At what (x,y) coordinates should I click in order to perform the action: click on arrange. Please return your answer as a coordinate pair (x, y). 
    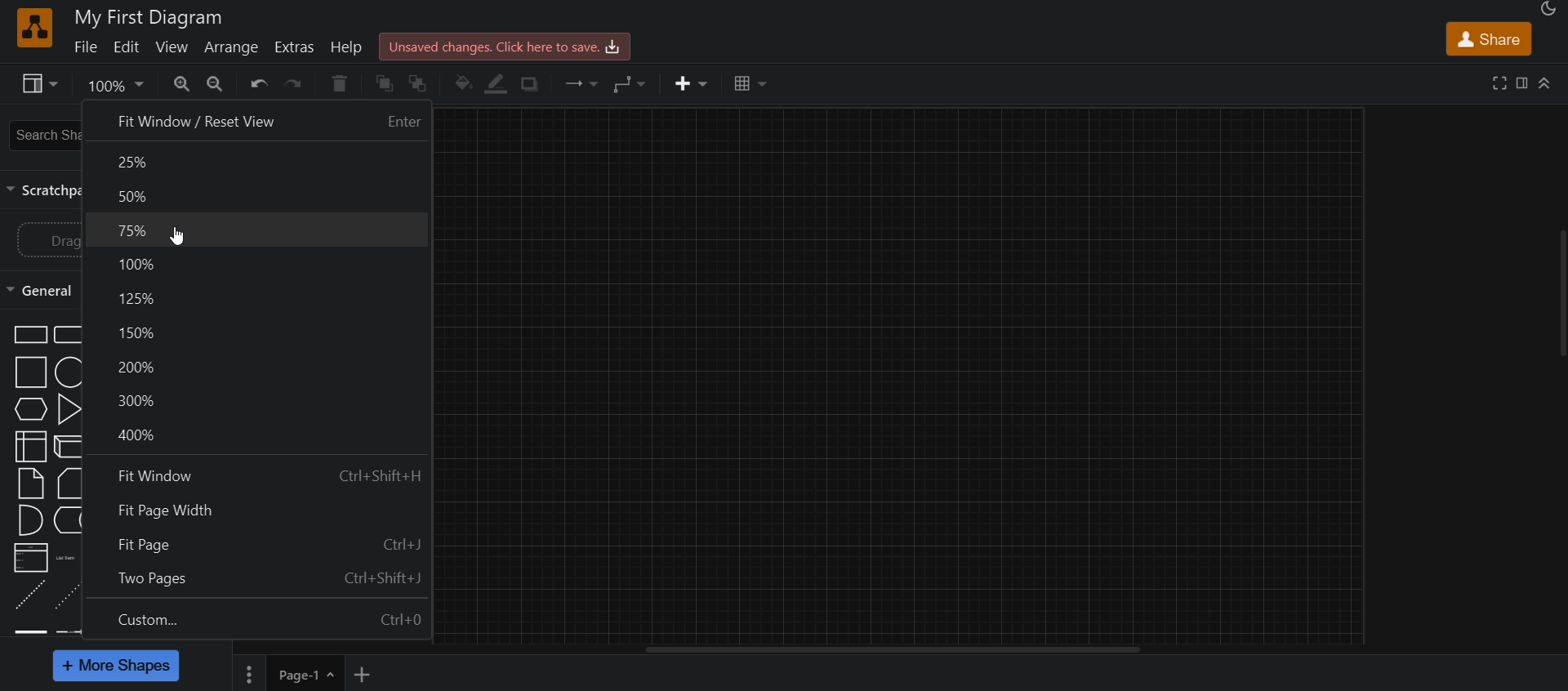
    Looking at the image, I should click on (234, 49).